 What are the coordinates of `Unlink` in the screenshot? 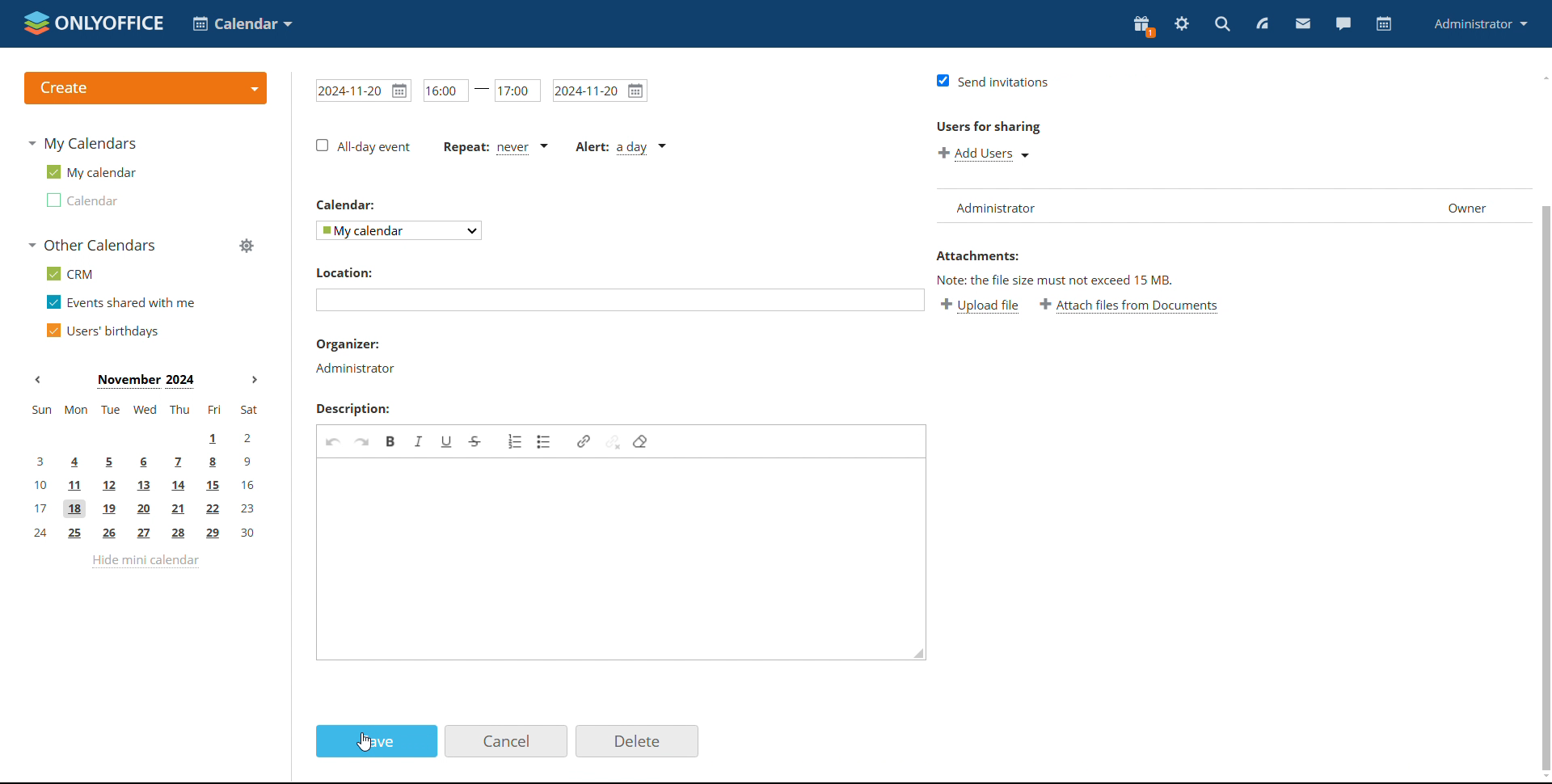 It's located at (614, 442).